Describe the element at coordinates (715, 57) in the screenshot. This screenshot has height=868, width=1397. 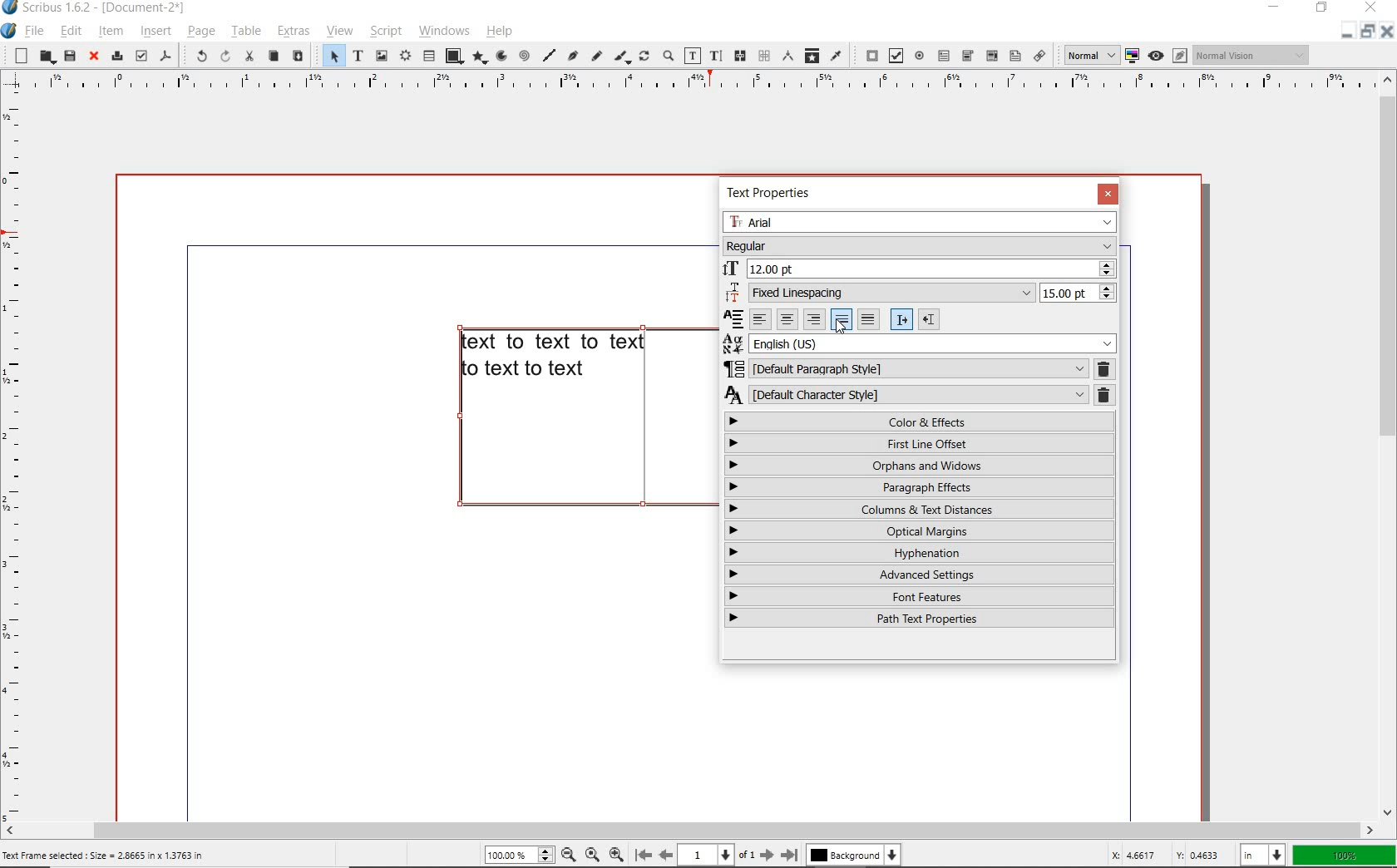
I see `edit text with story editor` at that location.